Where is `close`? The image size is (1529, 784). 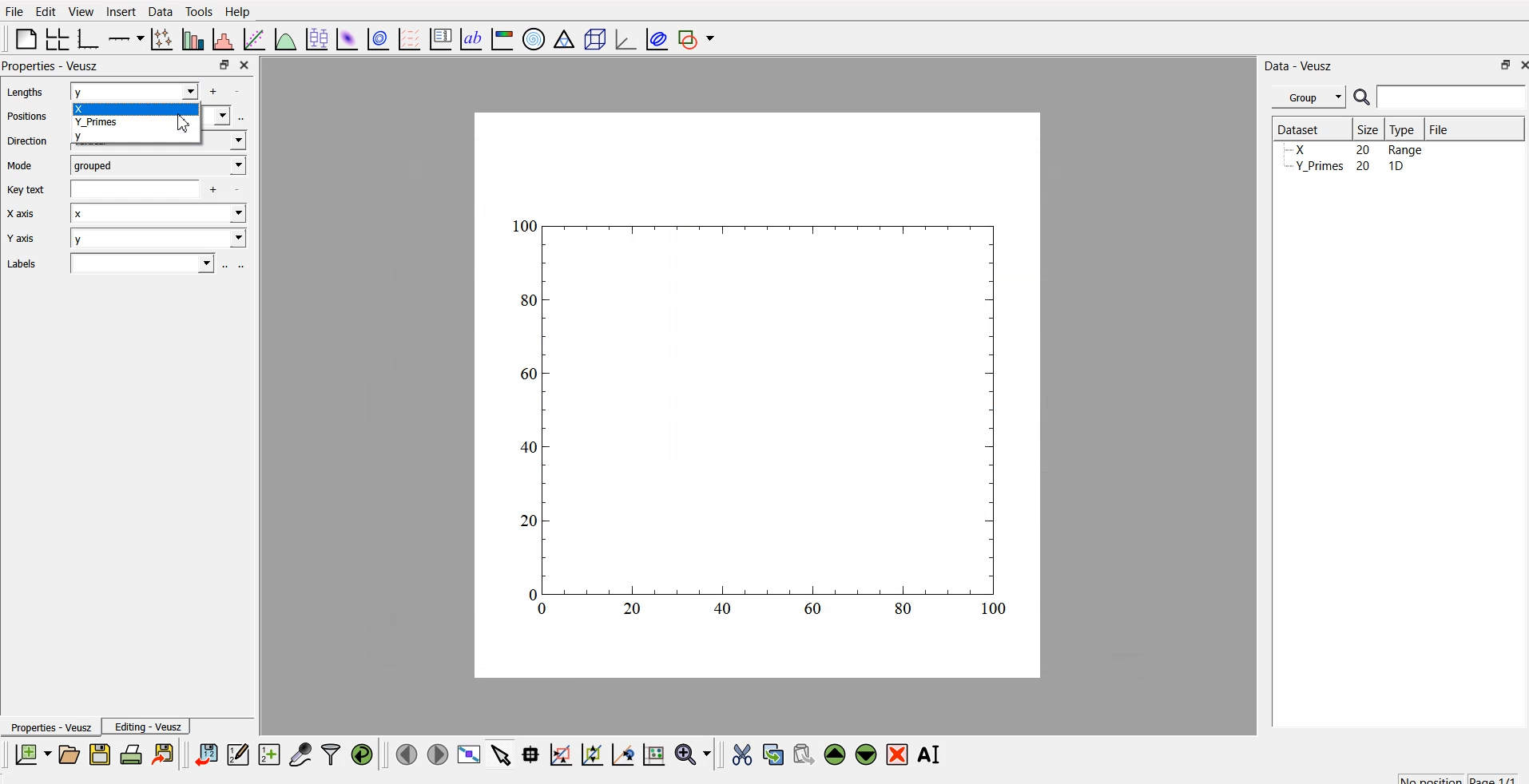
close is located at coordinates (243, 64).